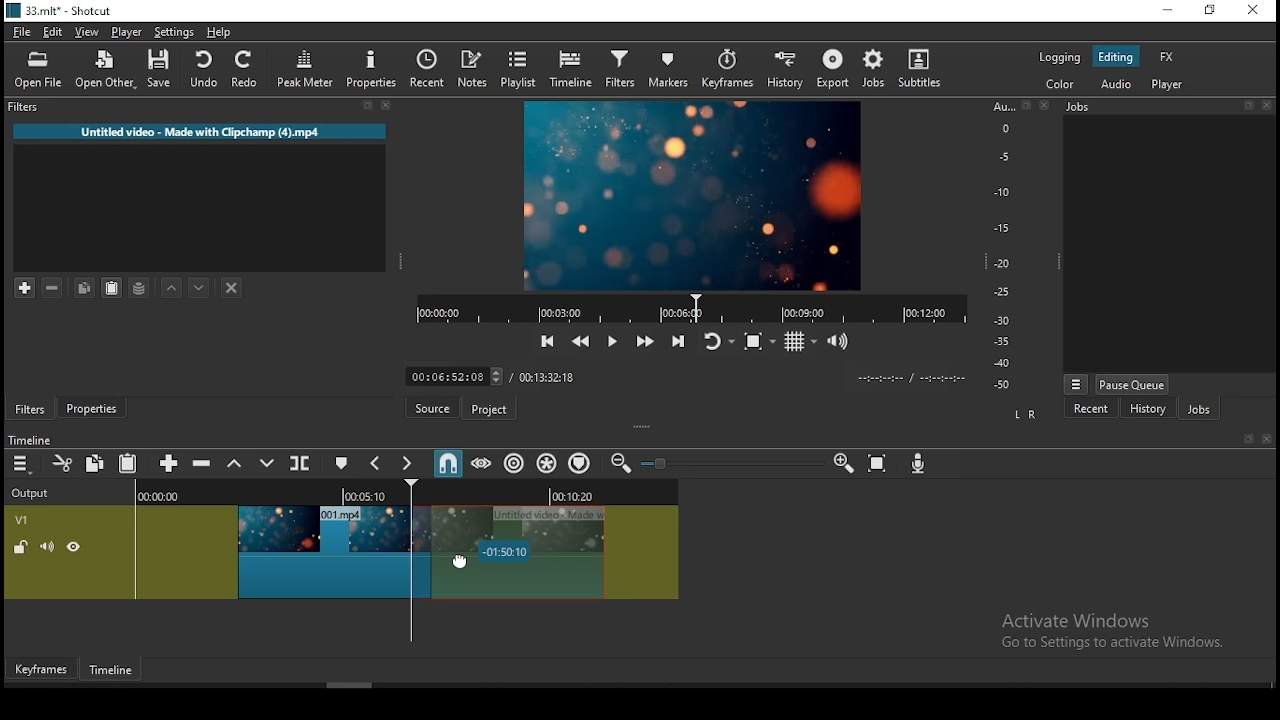 The height and width of the screenshot is (720, 1280). What do you see at coordinates (559, 553) in the screenshot?
I see `video clip (active selection)` at bounding box center [559, 553].